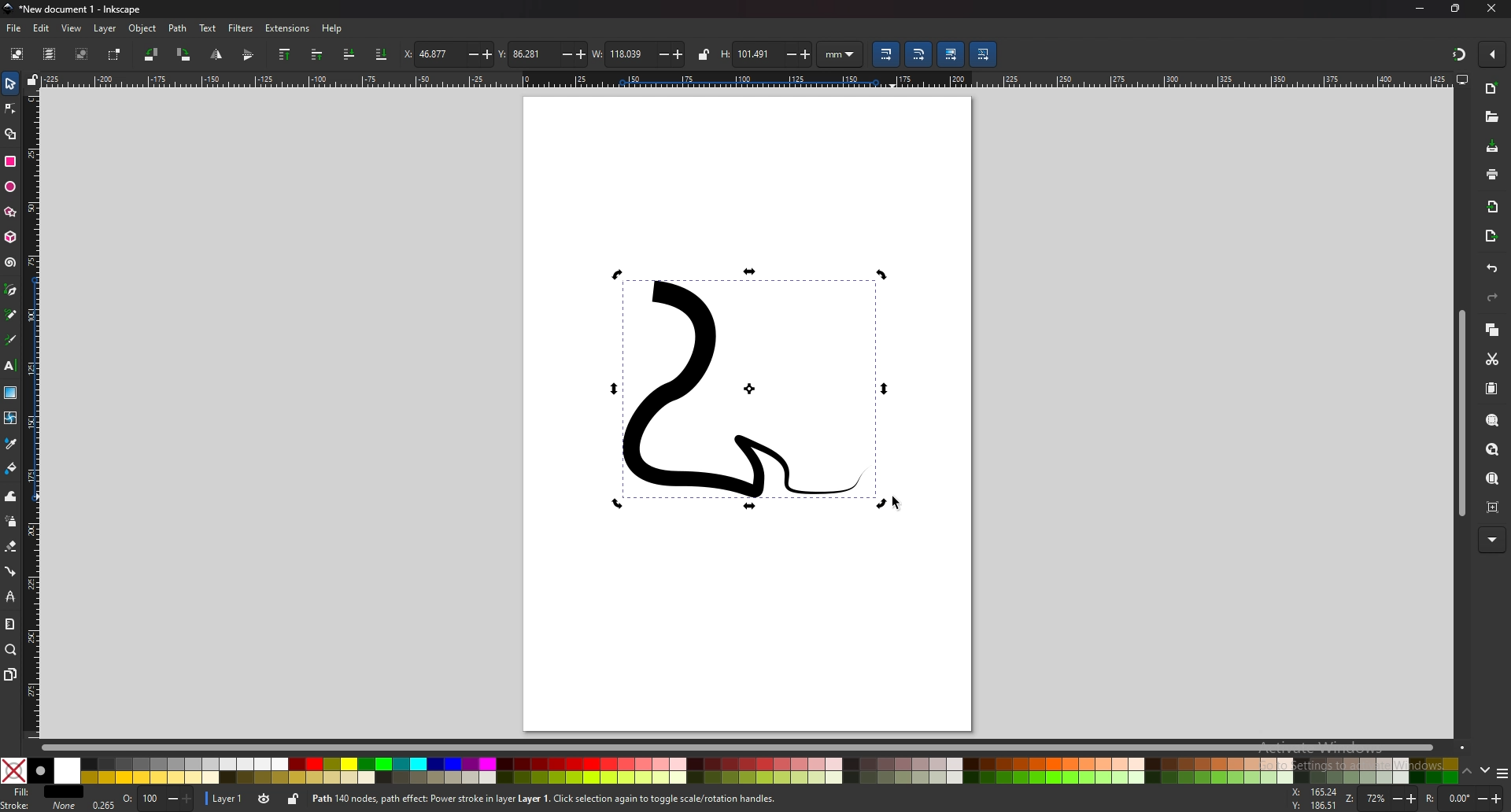  What do you see at coordinates (316, 55) in the screenshot?
I see `raise selection one step` at bounding box center [316, 55].